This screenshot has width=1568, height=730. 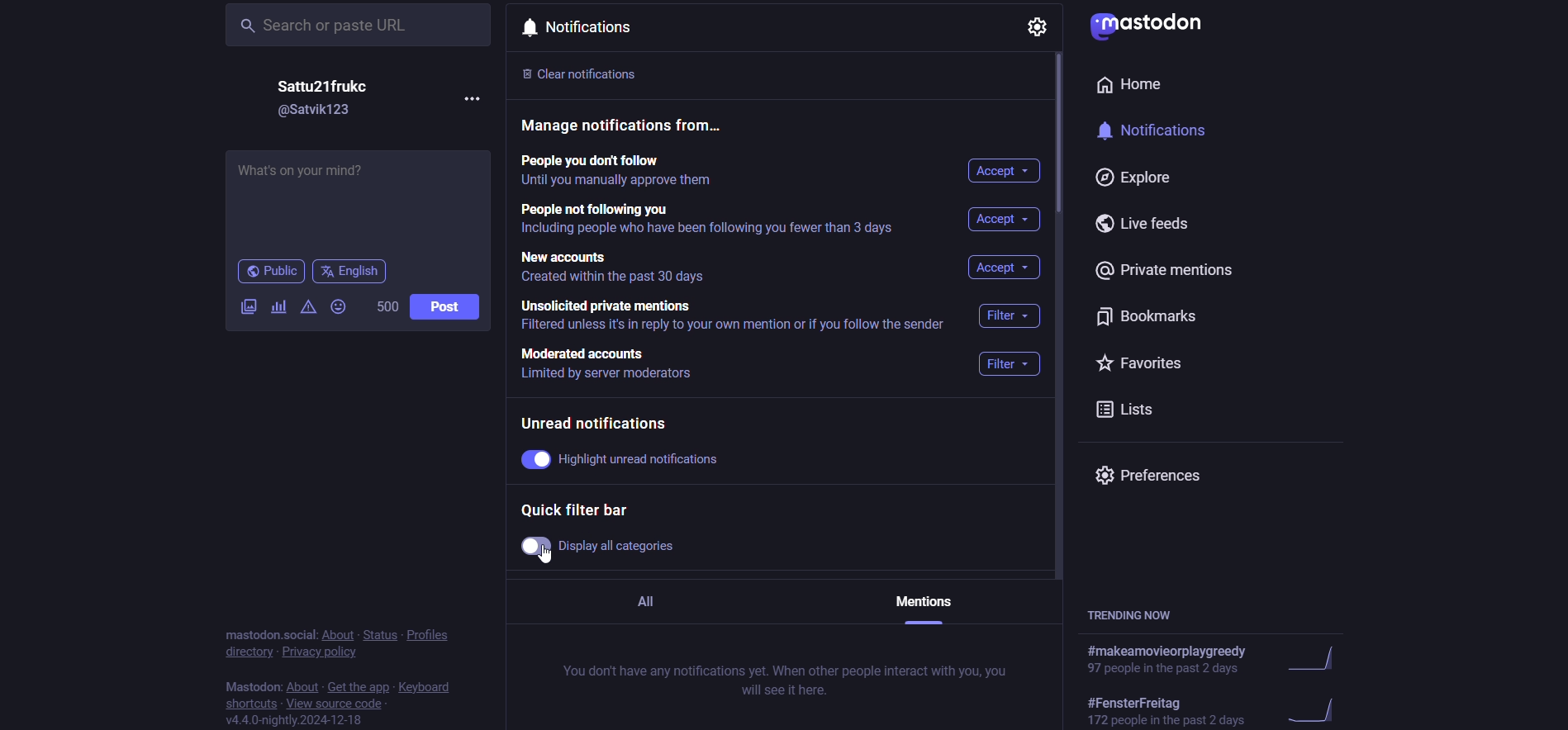 I want to click on TRENDING NOW, so click(x=1131, y=614).